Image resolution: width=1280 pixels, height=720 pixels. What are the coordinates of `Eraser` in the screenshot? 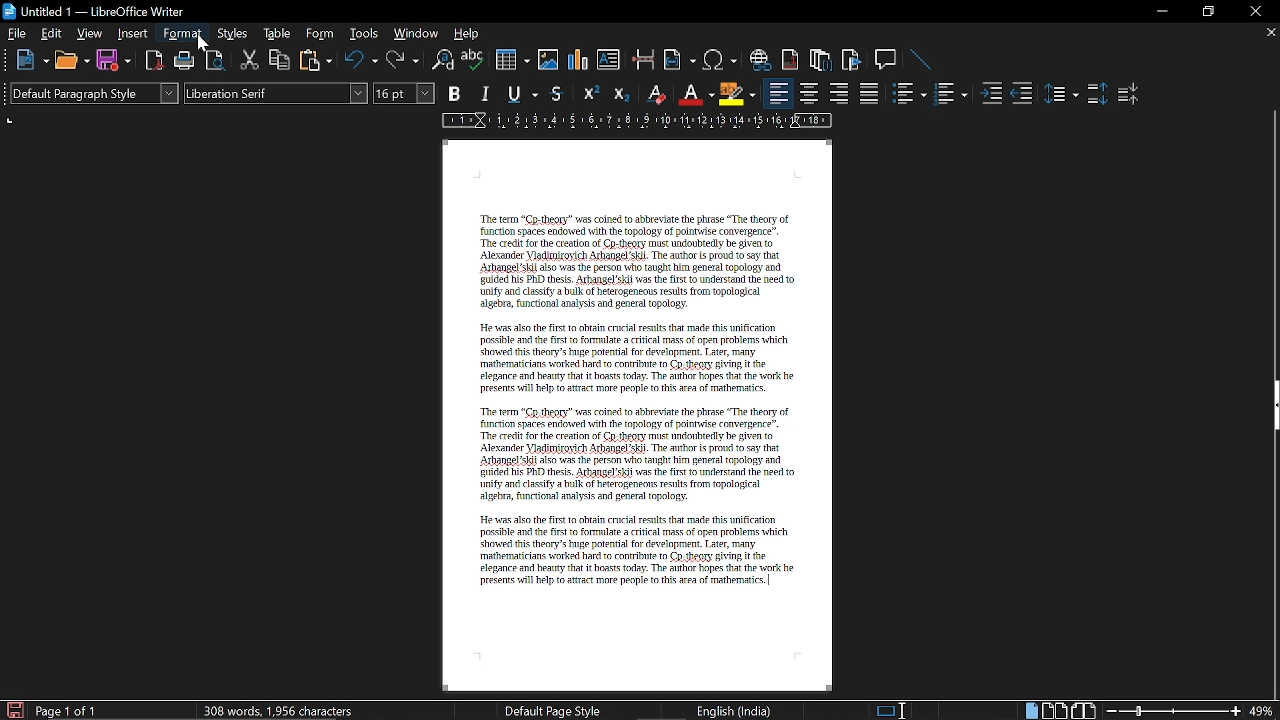 It's located at (654, 94).